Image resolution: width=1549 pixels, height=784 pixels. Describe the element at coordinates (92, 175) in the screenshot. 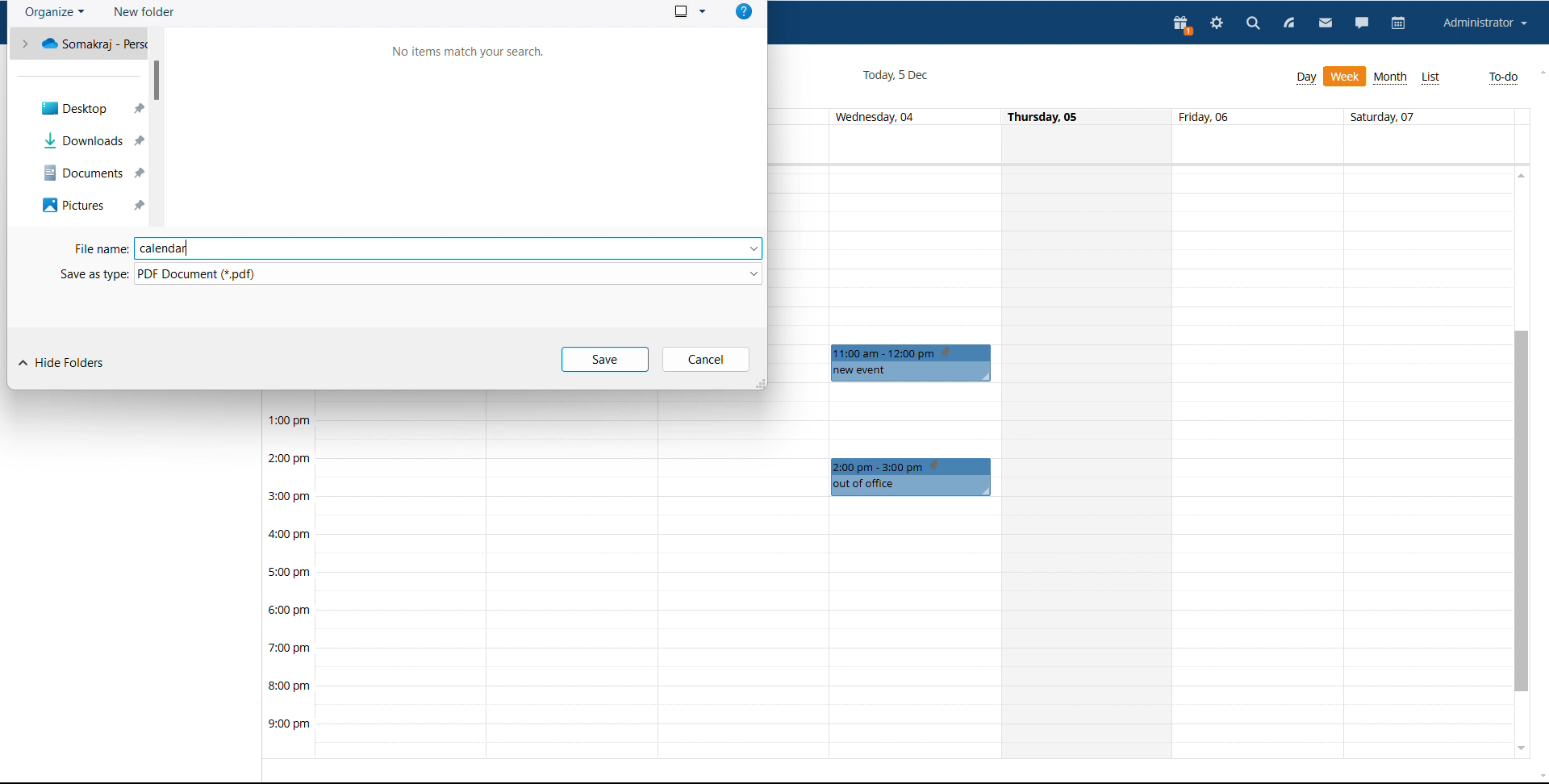

I see `` at that location.